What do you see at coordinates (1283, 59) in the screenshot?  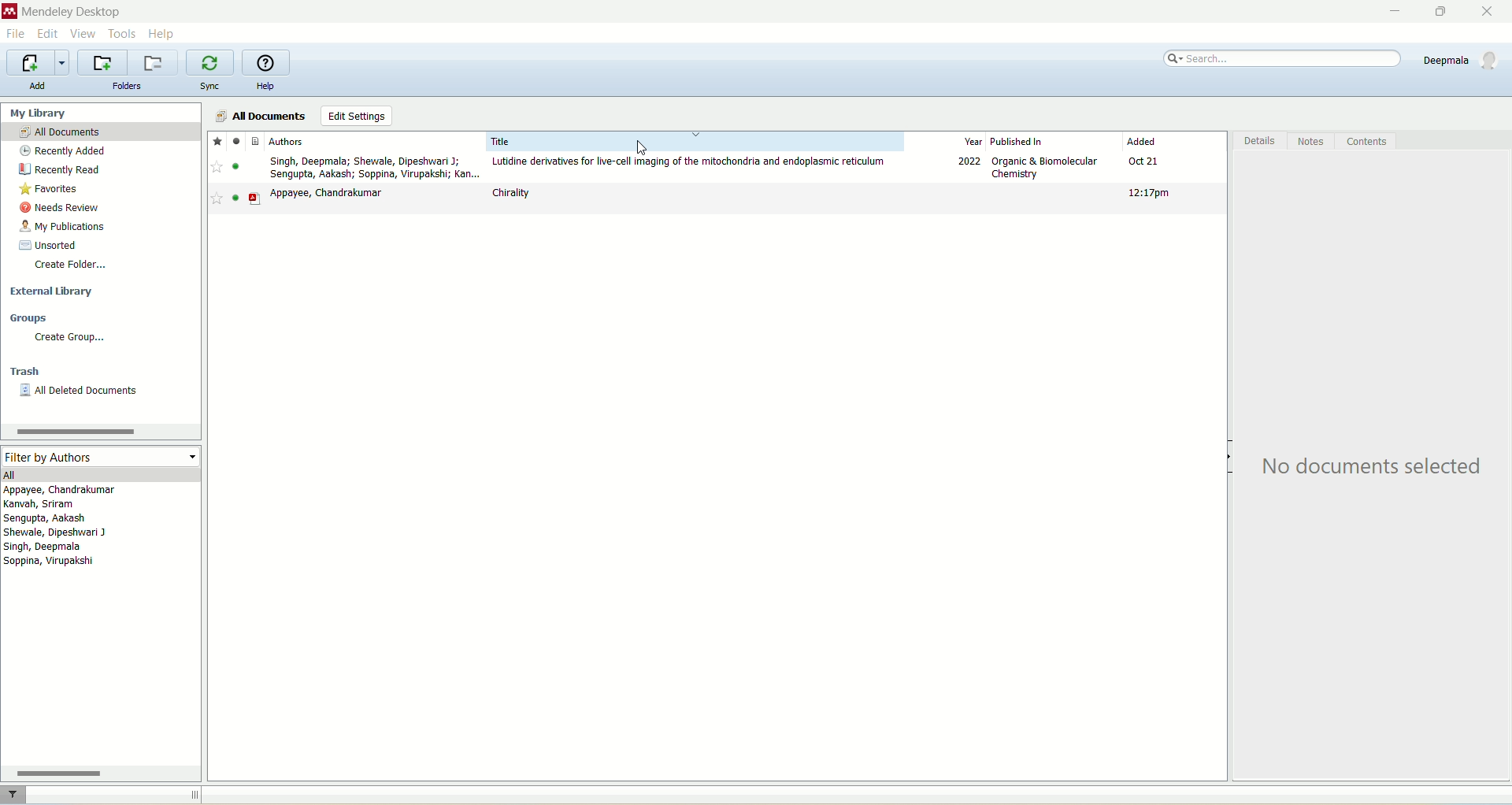 I see `search` at bounding box center [1283, 59].